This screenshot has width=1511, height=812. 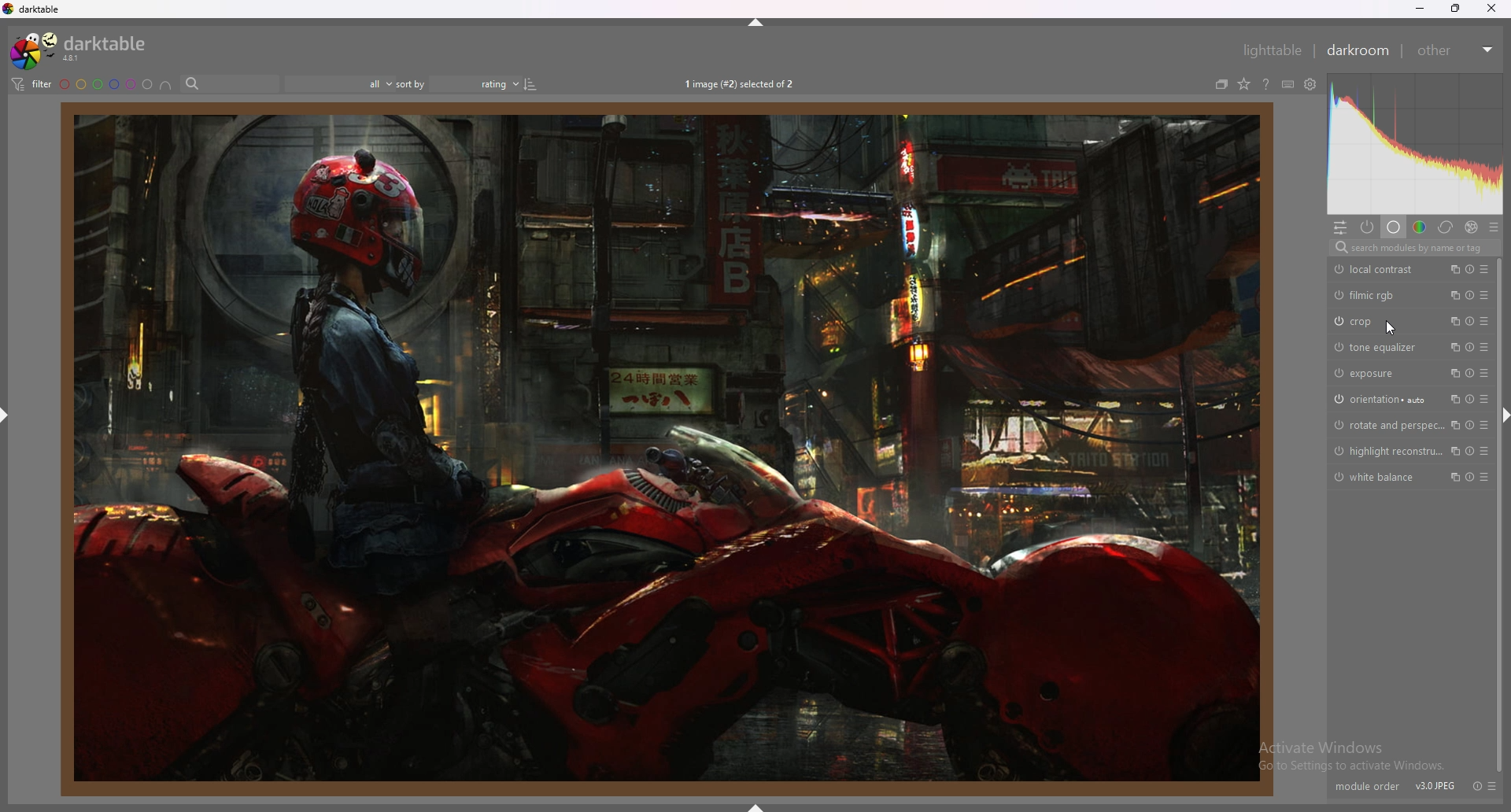 What do you see at coordinates (6, 416) in the screenshot?
I see `hide` at bounding box center [6, 416].